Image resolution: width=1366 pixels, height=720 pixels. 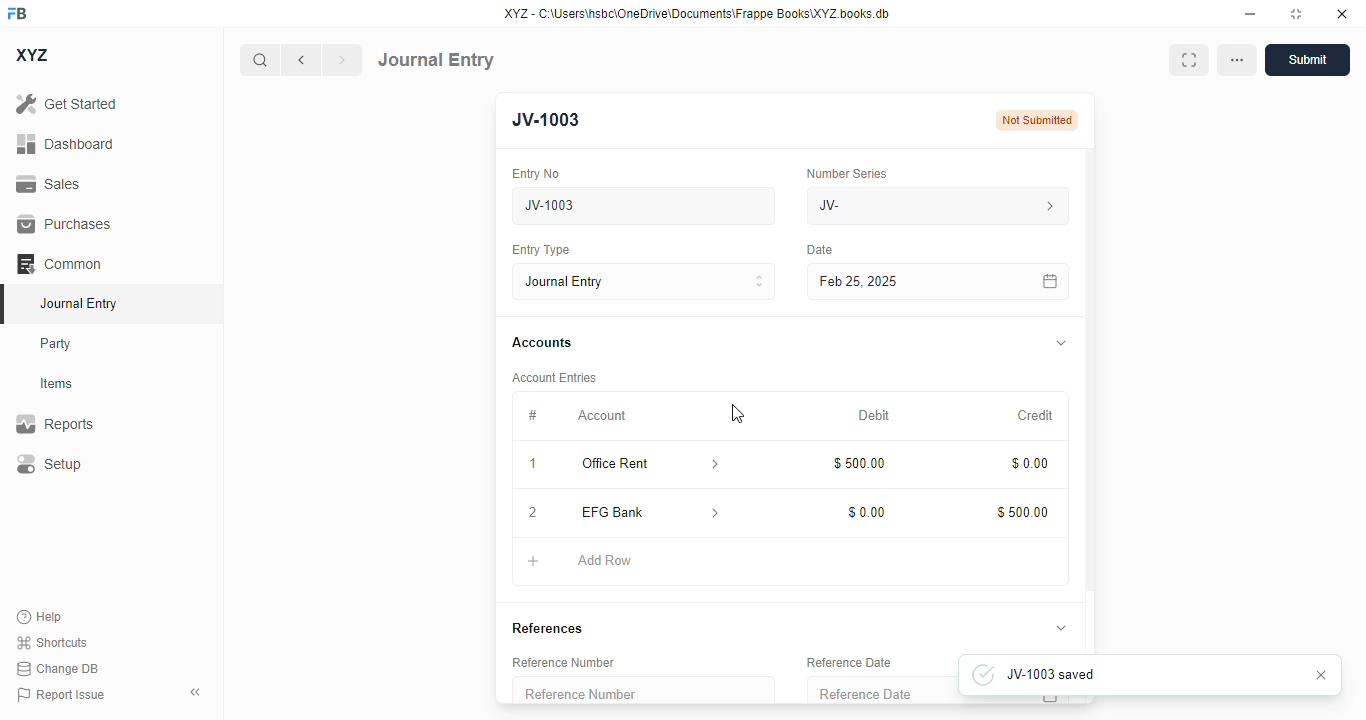 I want to click on get started, so click(x=66, y=103).